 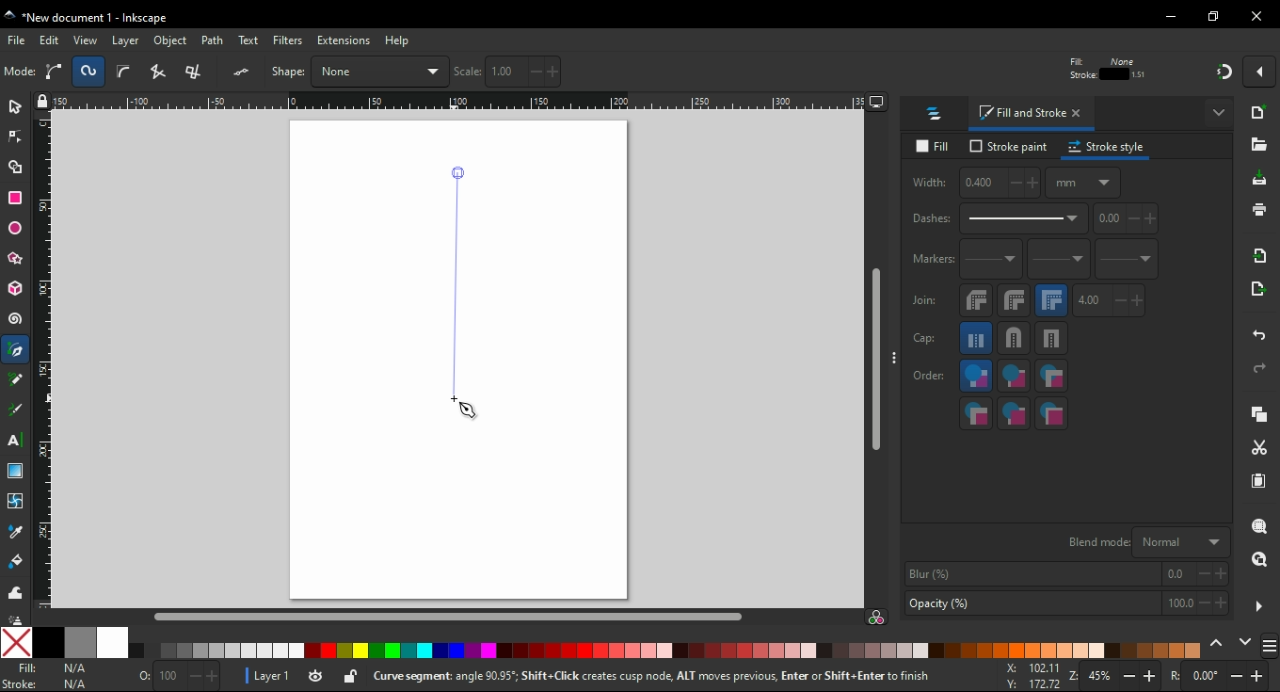 I want to click on Curve segment: angle 30.95"; ShiftClick creates cusp node, ALT moves previous, Enter or Shift+Enter to finish, so click(x=638, y=678).